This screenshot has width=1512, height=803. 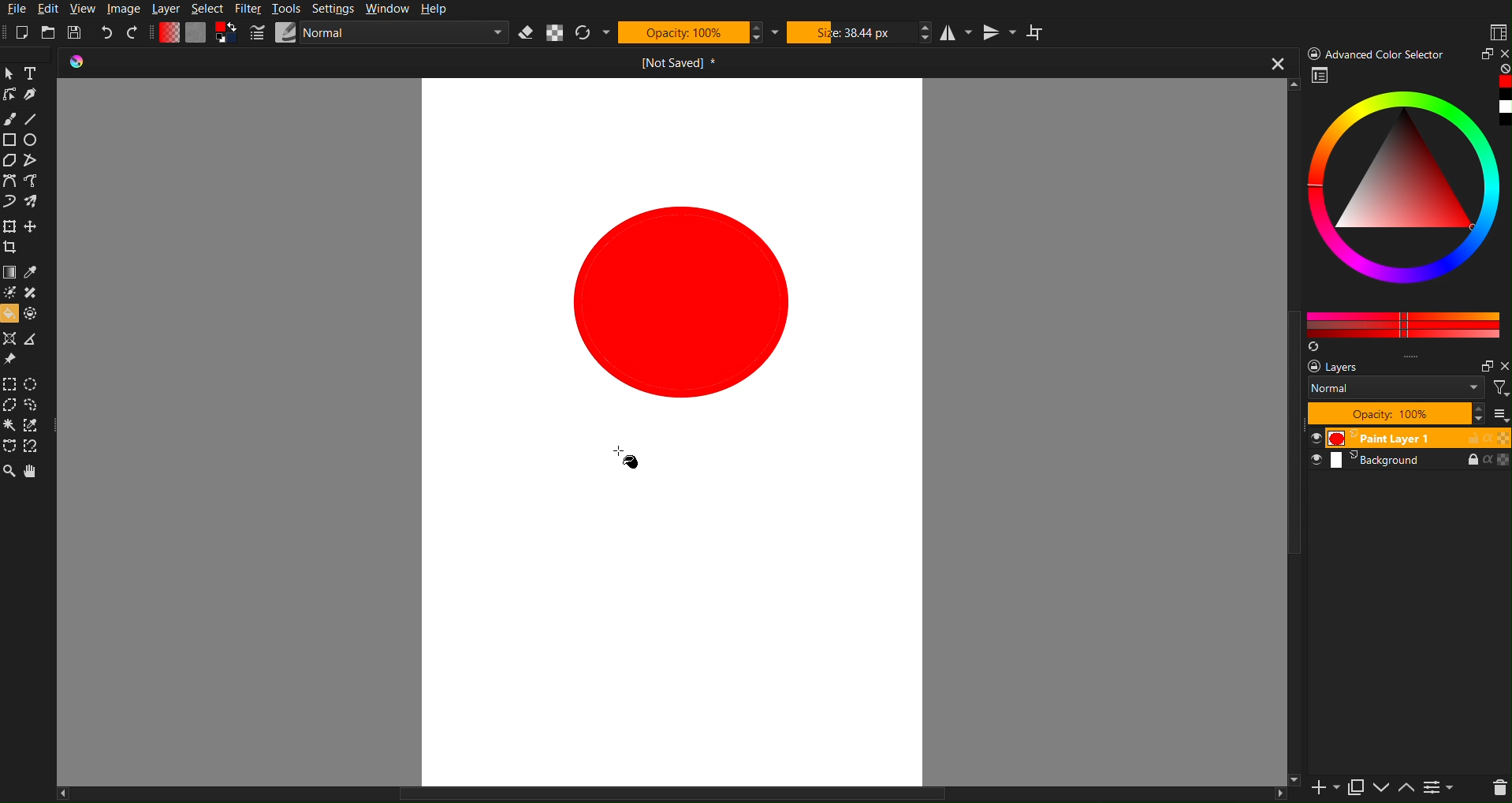 I want to click on Filter, so click(x=1503, y=390).